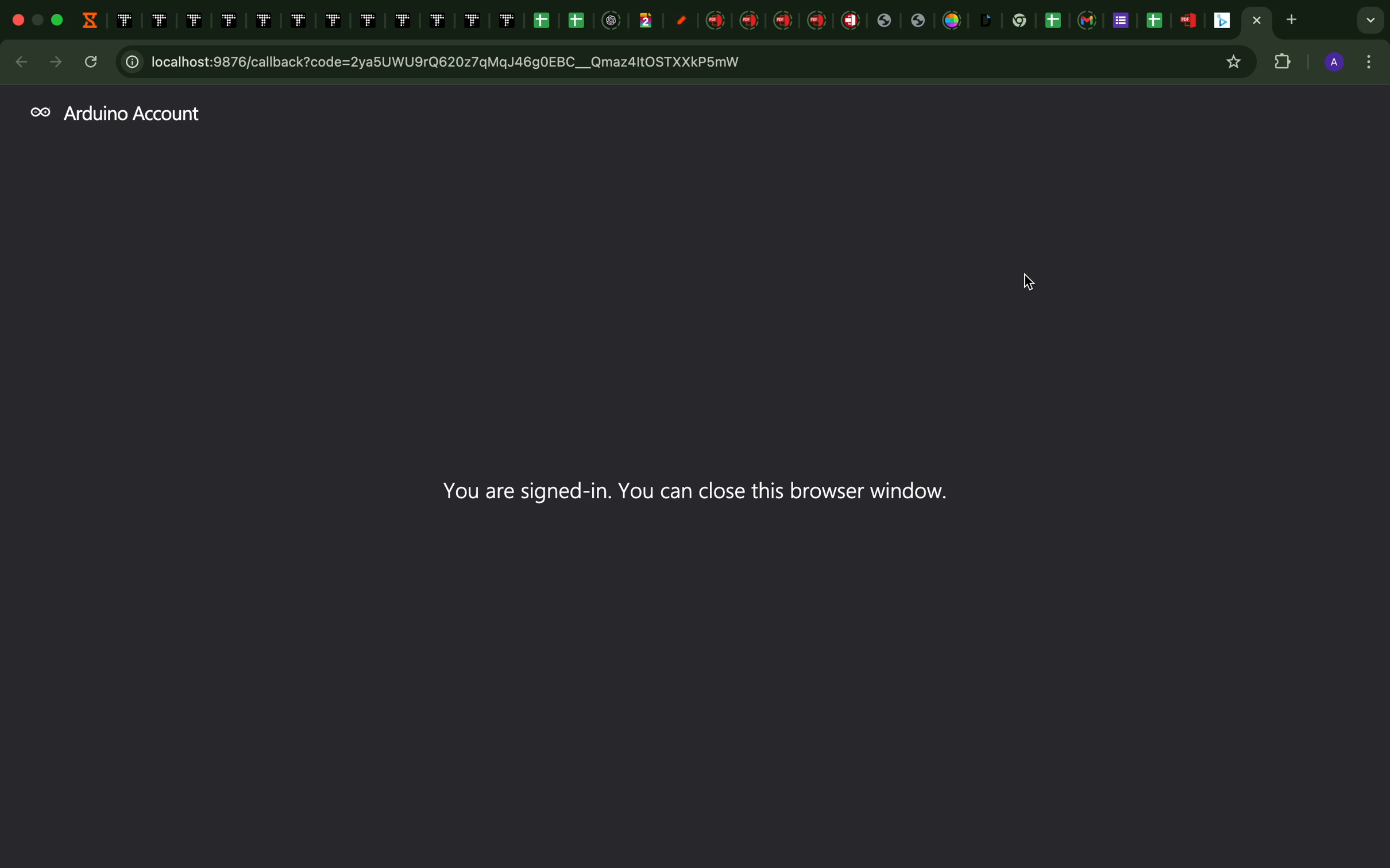  Describe the element at coordinates (697, 480) in the screenshot. I see `signed in successful pag` at that location.